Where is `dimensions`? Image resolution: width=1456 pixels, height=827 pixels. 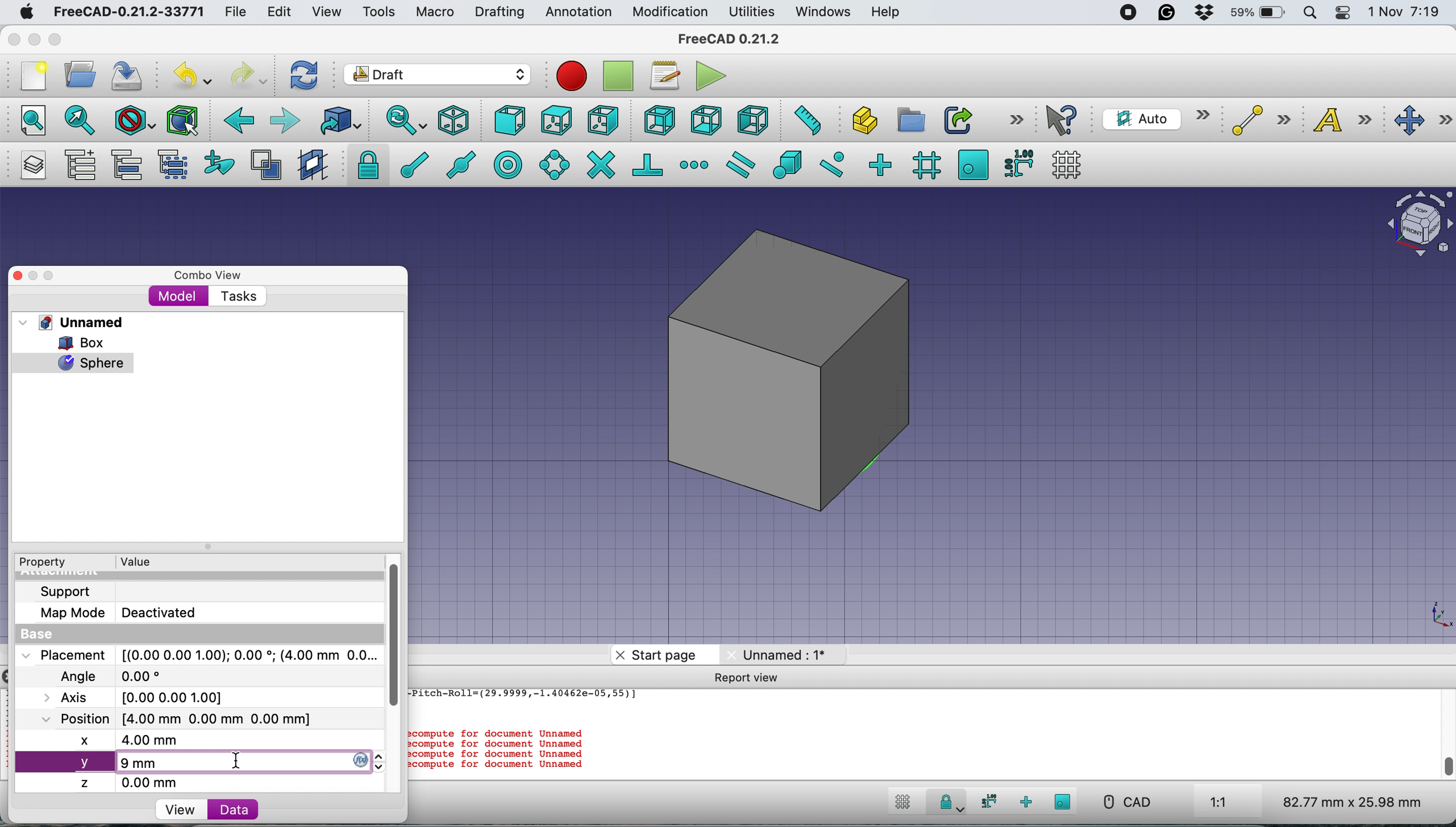 dimensions is located at coordinates (1349, 801).